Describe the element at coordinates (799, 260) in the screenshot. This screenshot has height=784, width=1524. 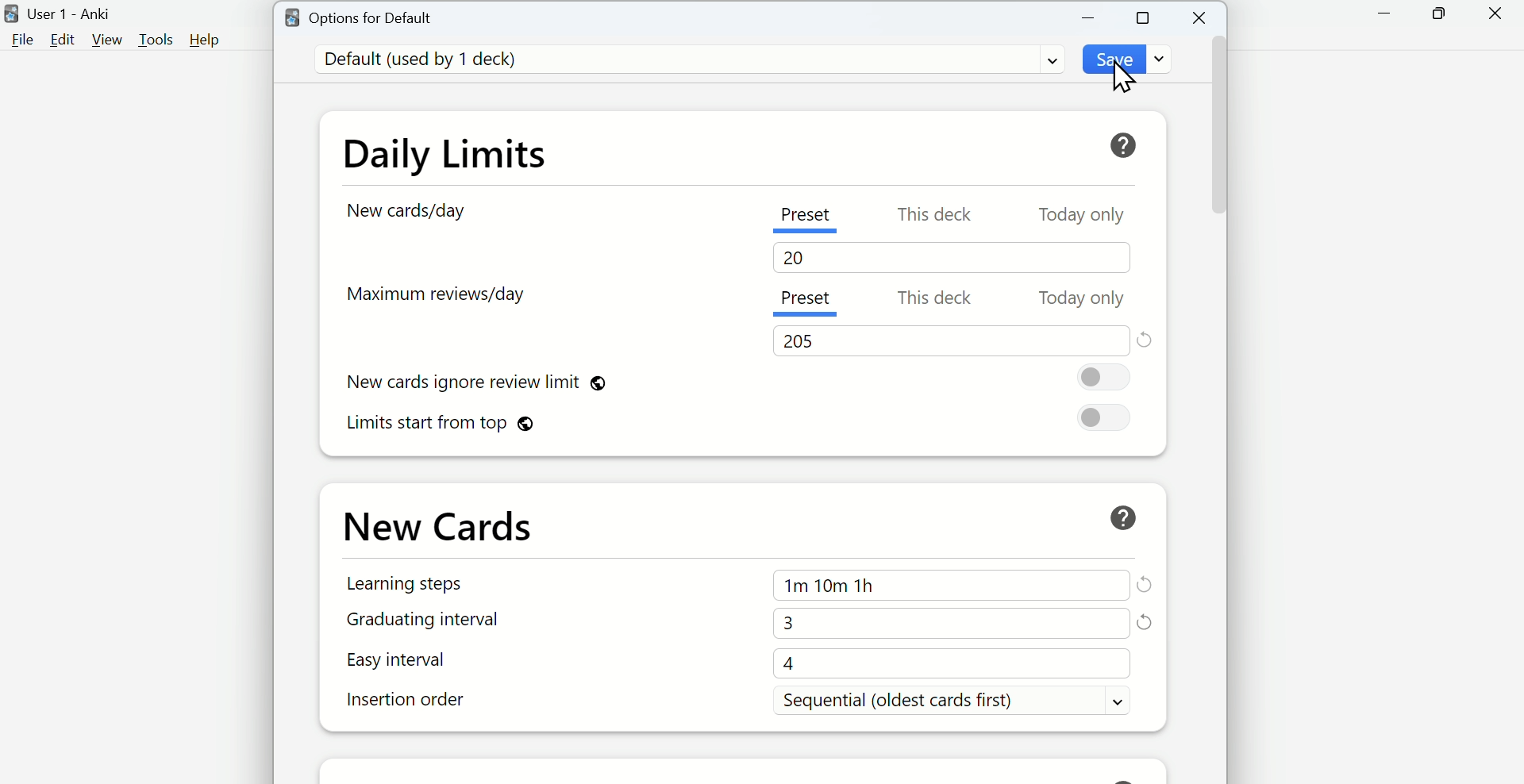
I see `20` at that location.